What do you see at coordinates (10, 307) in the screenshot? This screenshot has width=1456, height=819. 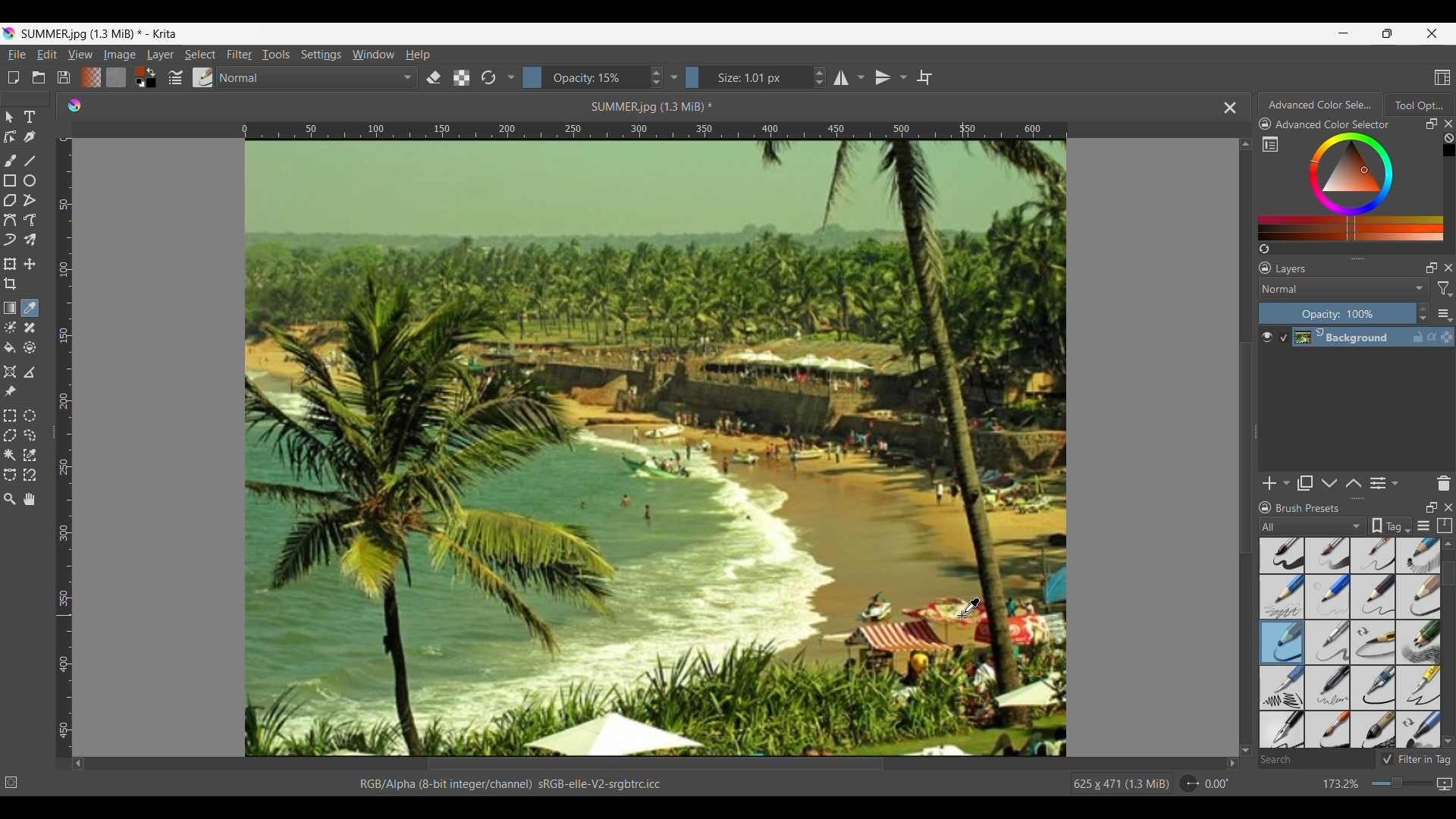 I see `Draw a gradient` at bounding box center [10, 307].